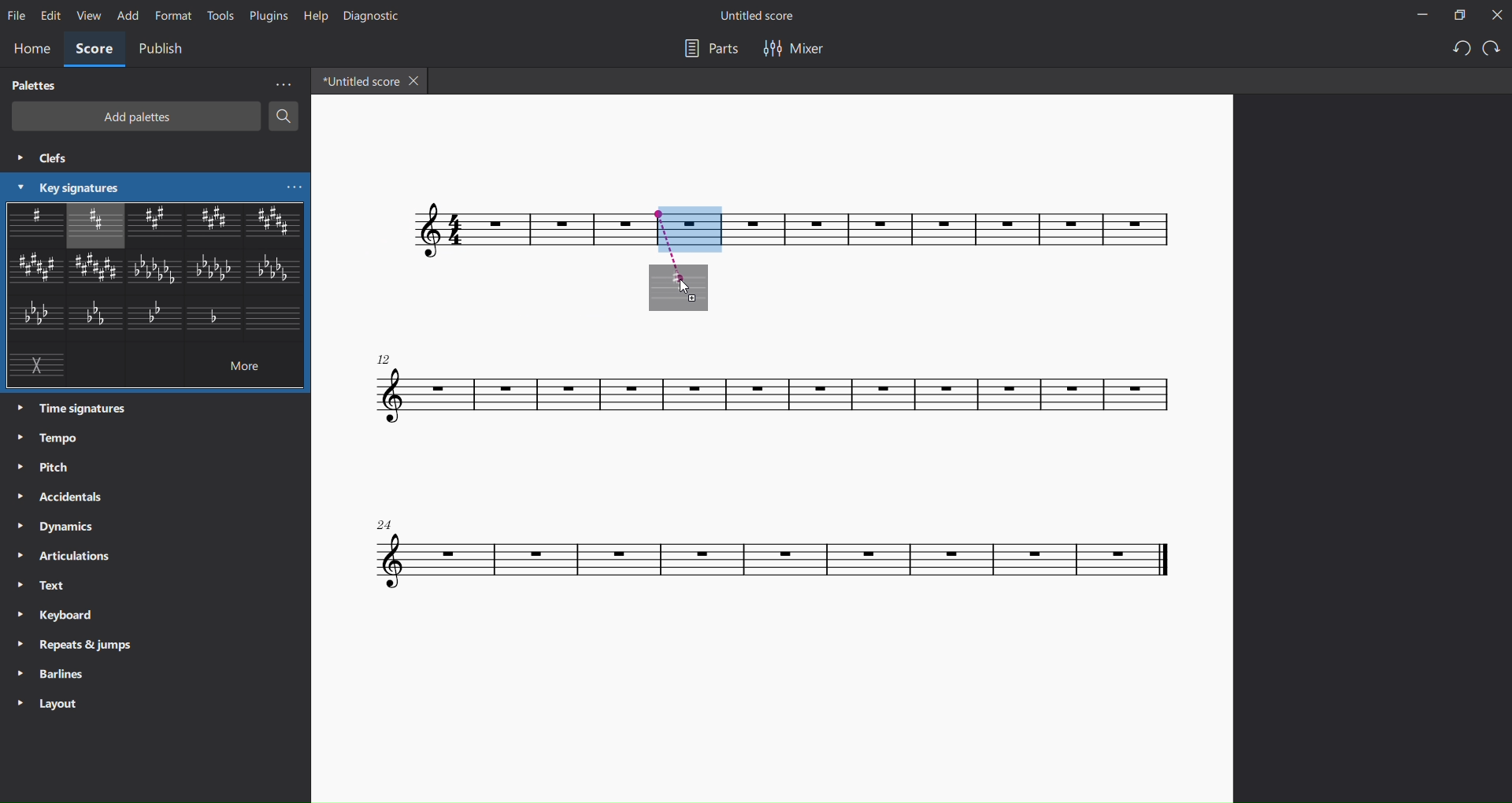  I want to click on score, so click(93, 48).